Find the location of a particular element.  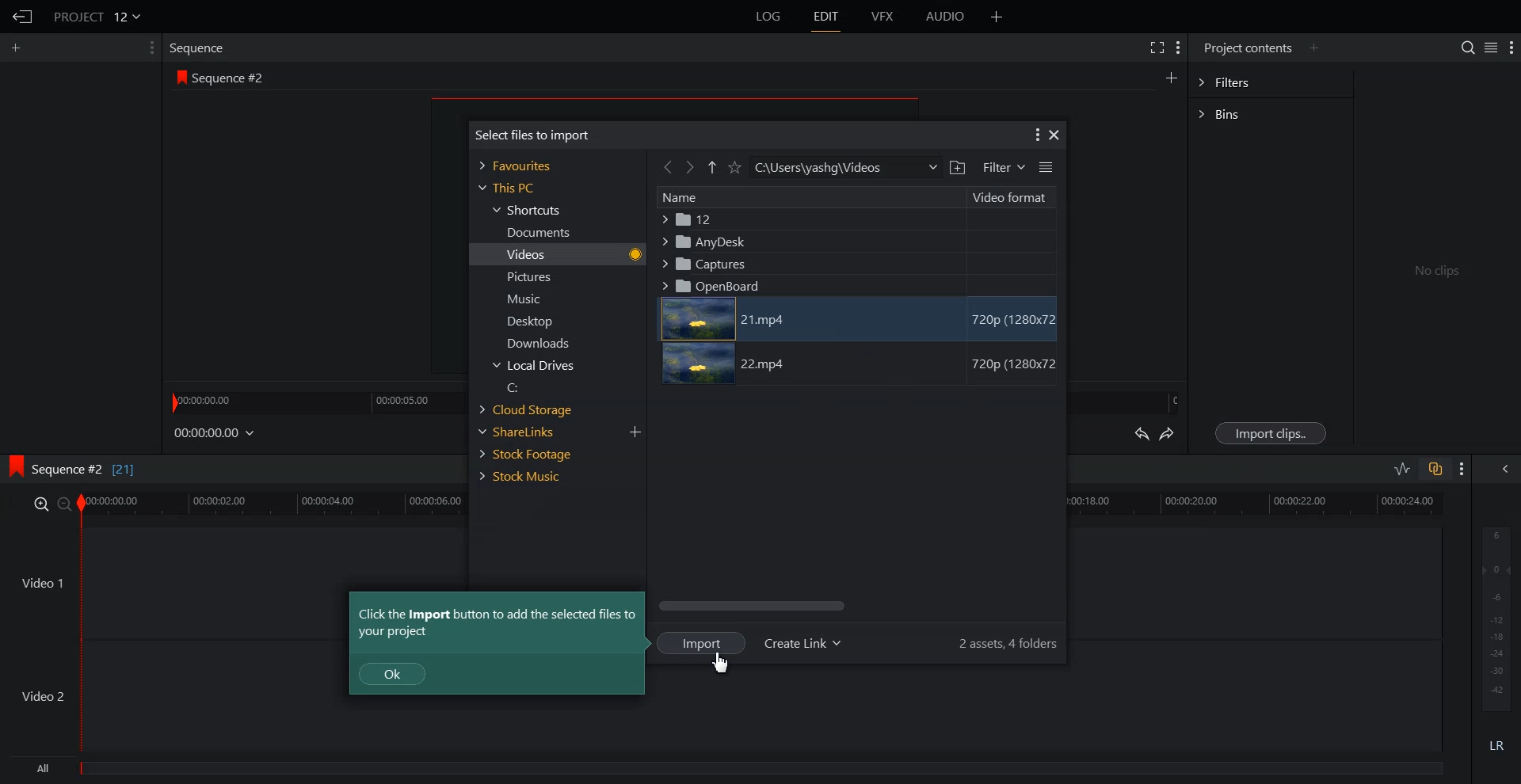

Local Drives is located at coordinates (536, 366).